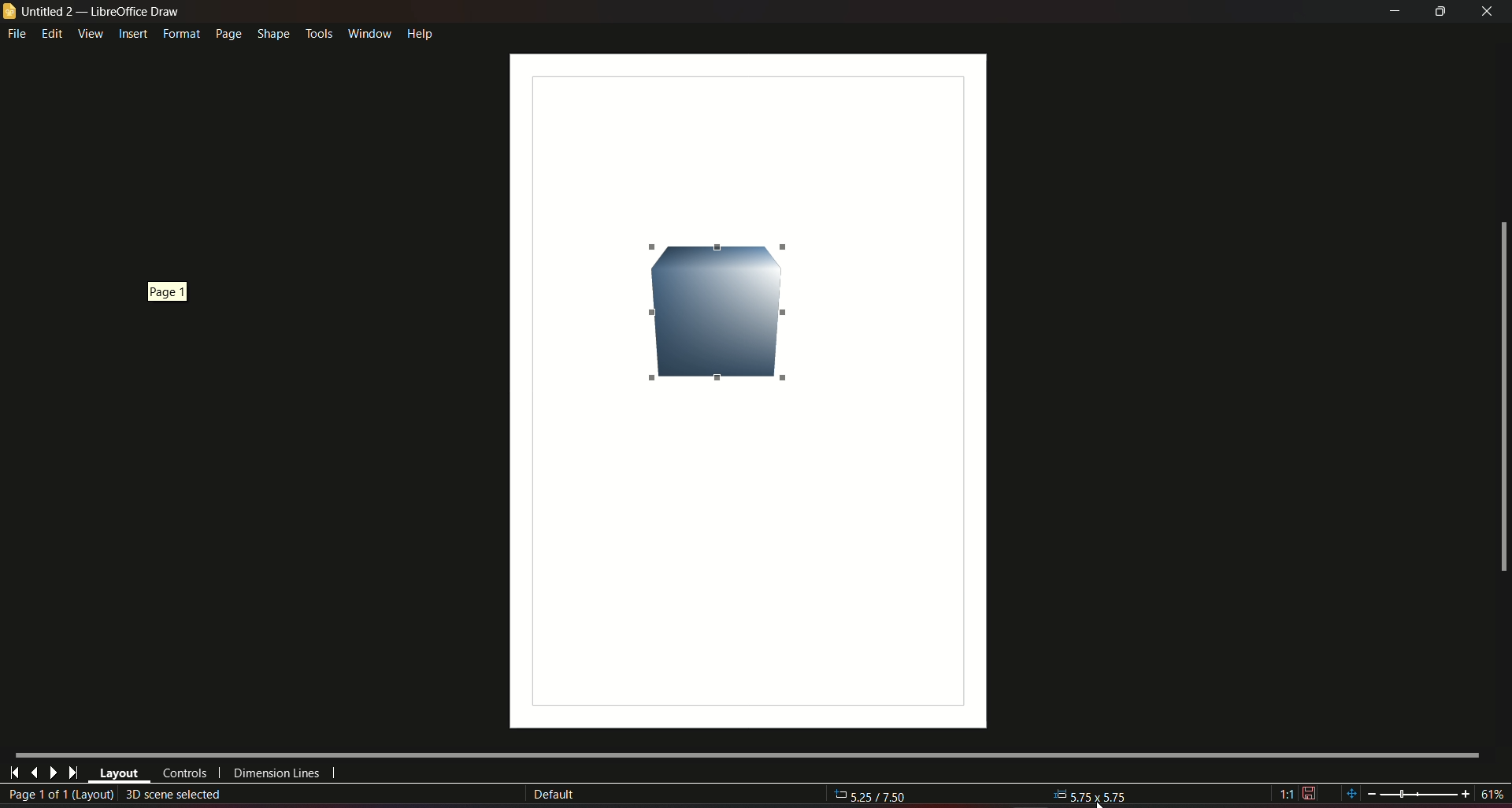  What do you see at coordinates (318, 32) in the screenshot?
I see `tools` at bounding box center [318, 32].